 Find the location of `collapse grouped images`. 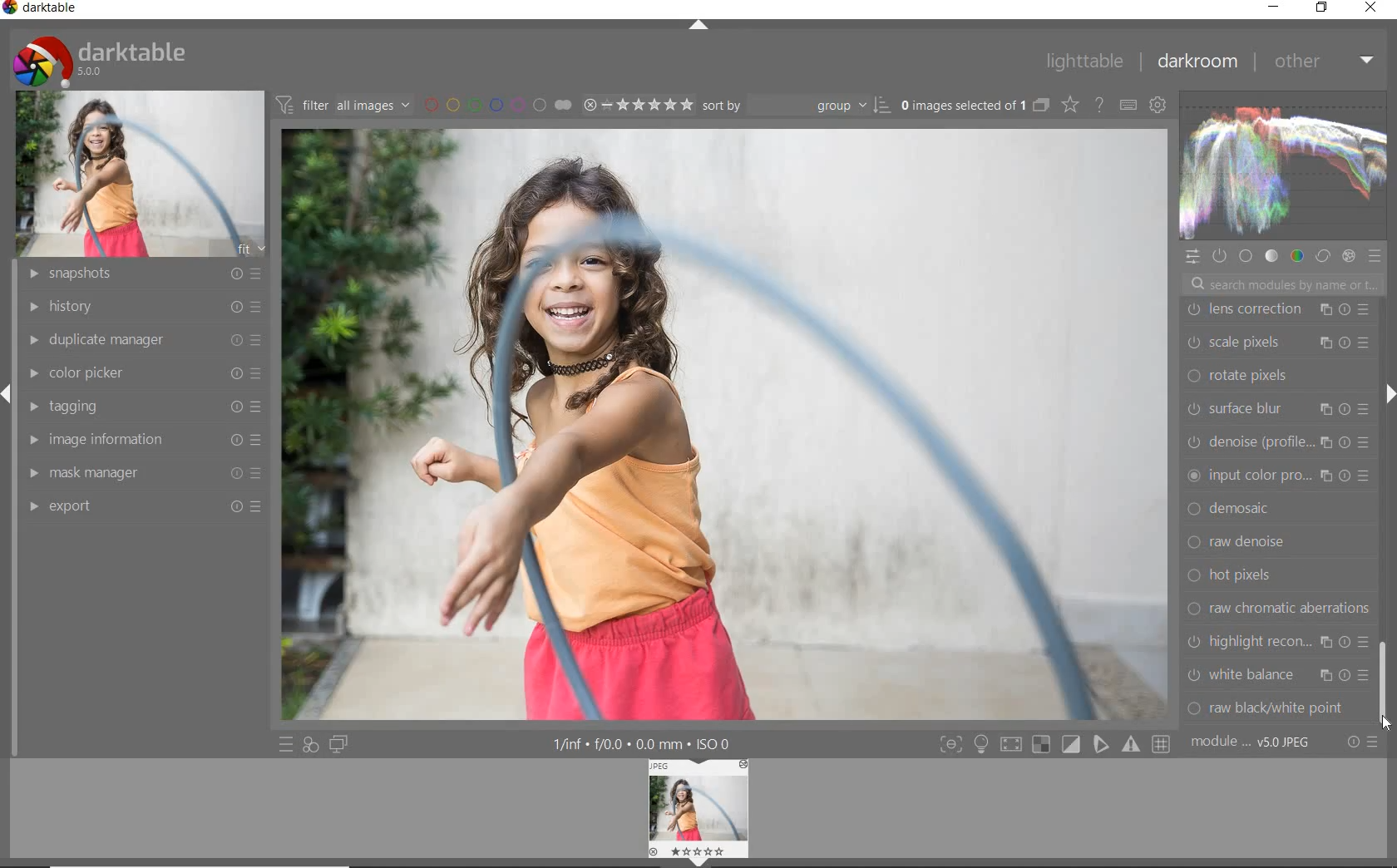

collapse grouped images is located at coordinates (1040, 106).